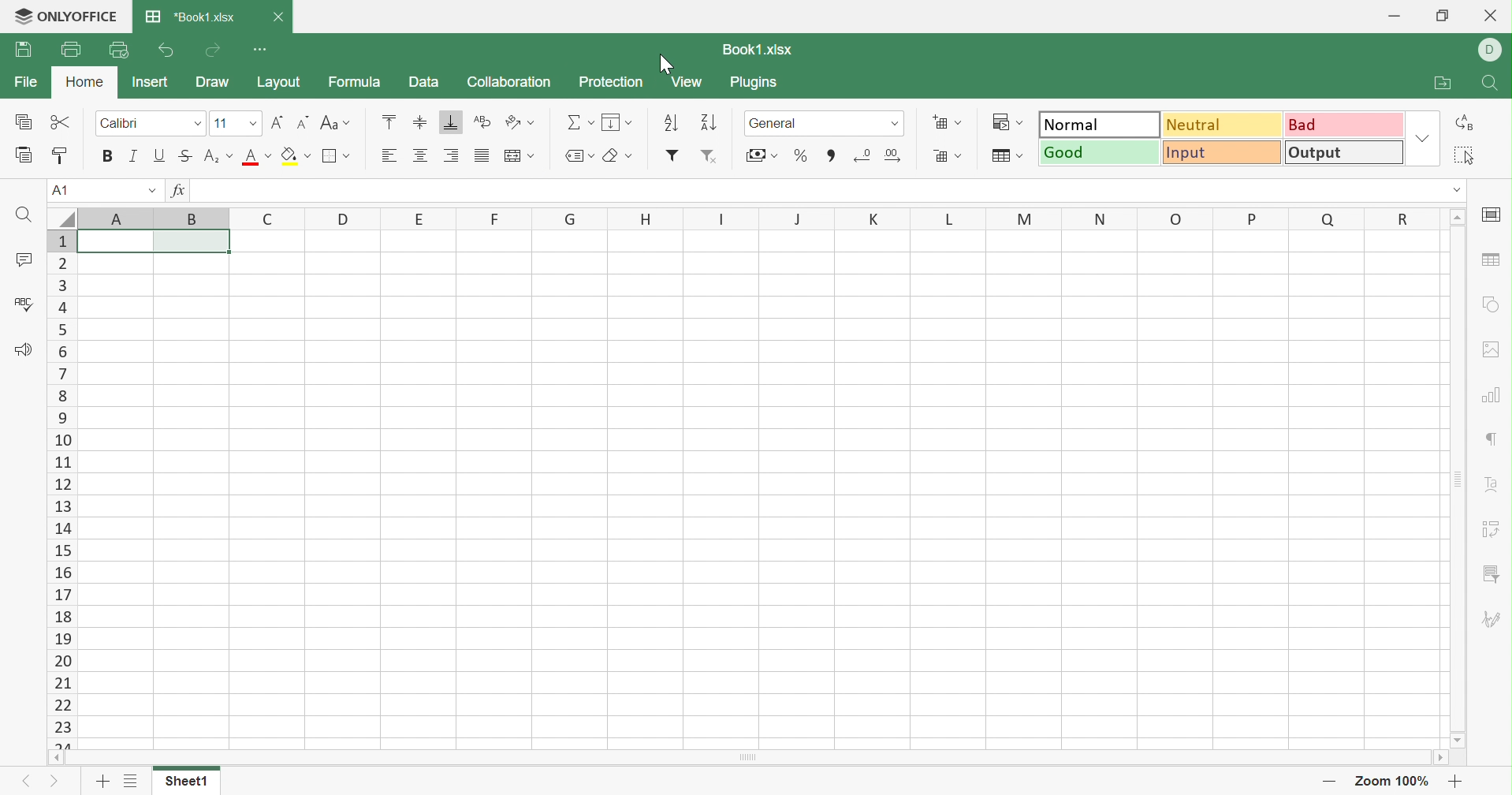  Describe the element at coordinates (1496, 304) in the screenshot. I see `Shape settings` at that location.